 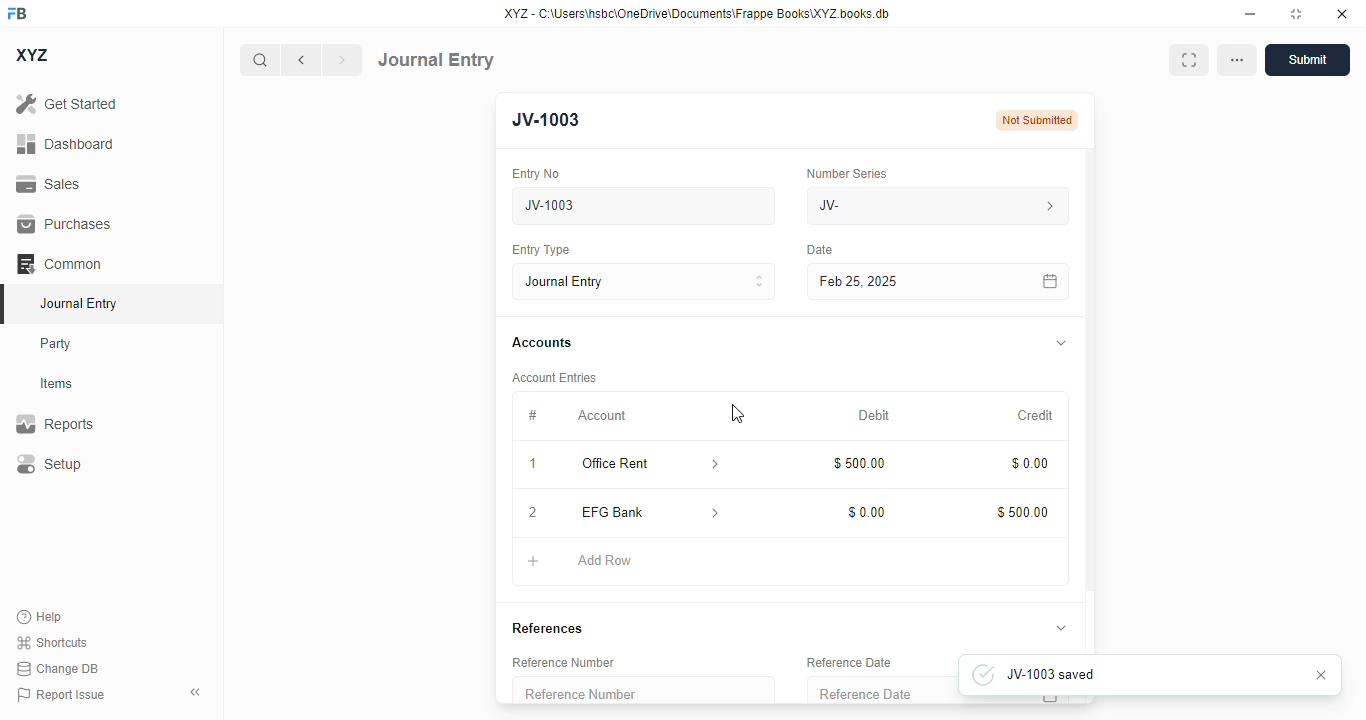 I want to click on feb 25, 2025, so click(x=910, y=282).